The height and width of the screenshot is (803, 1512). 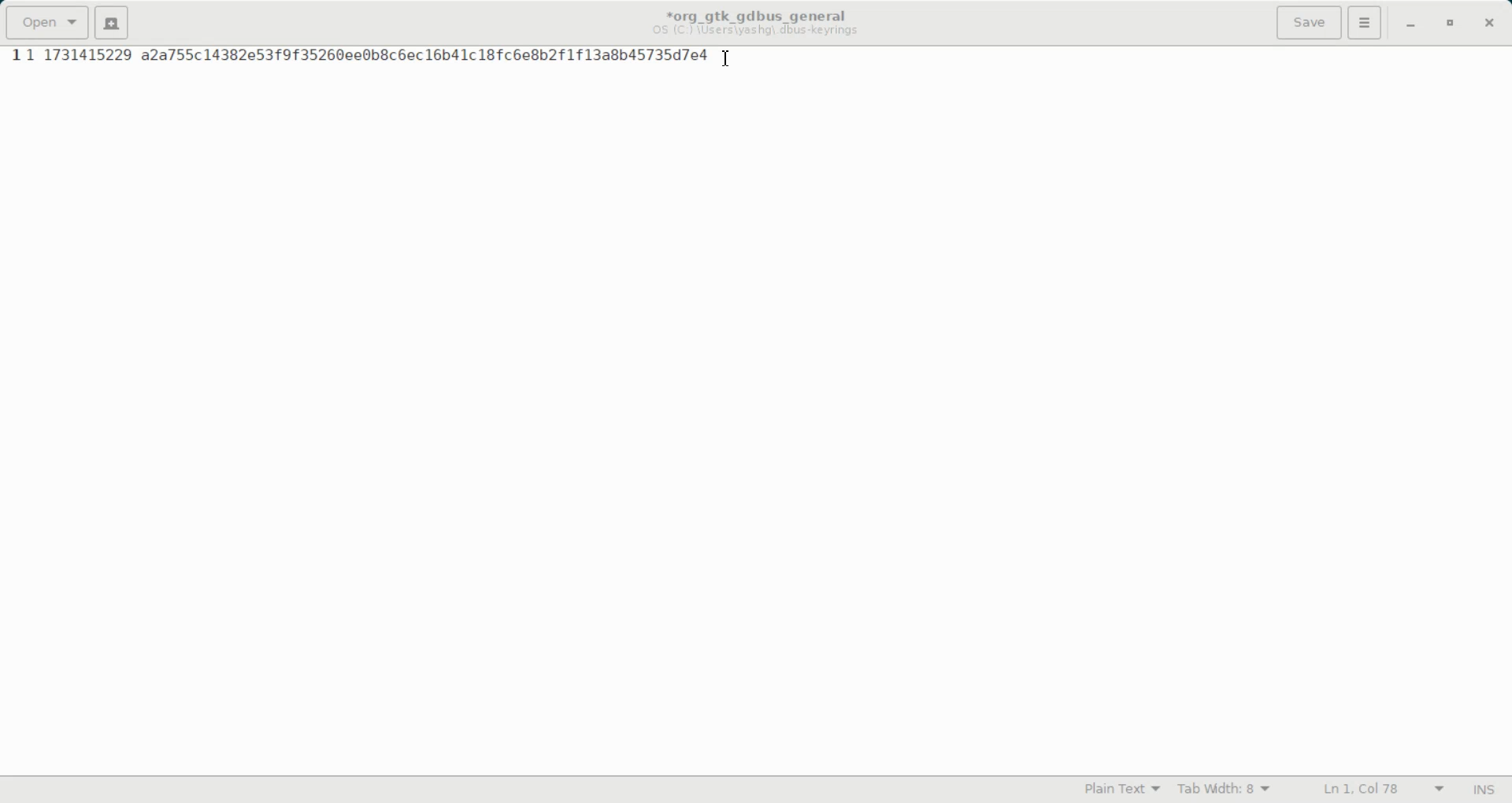 What do you see at coordinates (112, 22) in the screenshot?
I see `Create a new document` at bounding box center [112, 22].